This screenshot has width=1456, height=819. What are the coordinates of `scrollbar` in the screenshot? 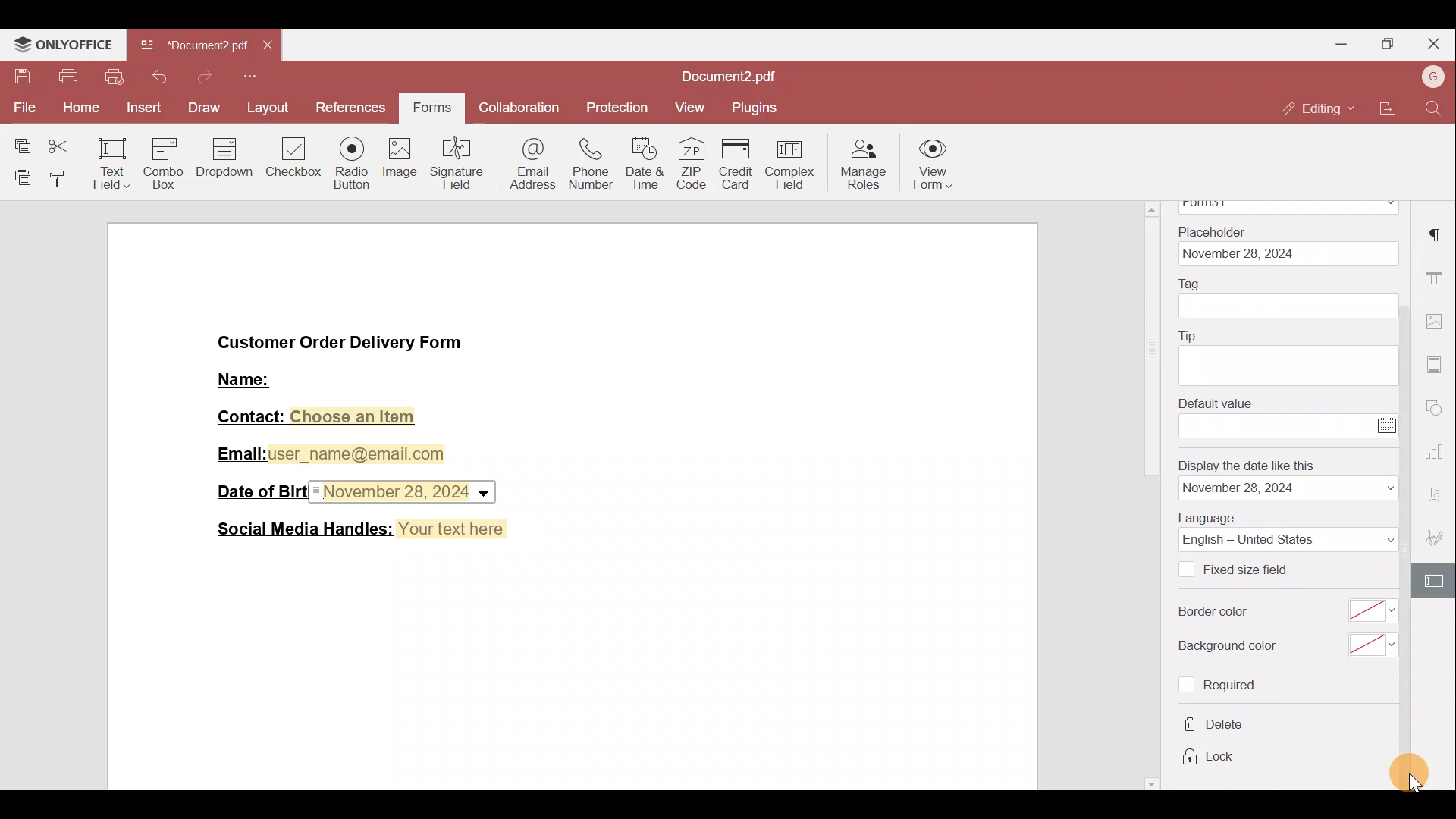 It's located at (1153, 496).